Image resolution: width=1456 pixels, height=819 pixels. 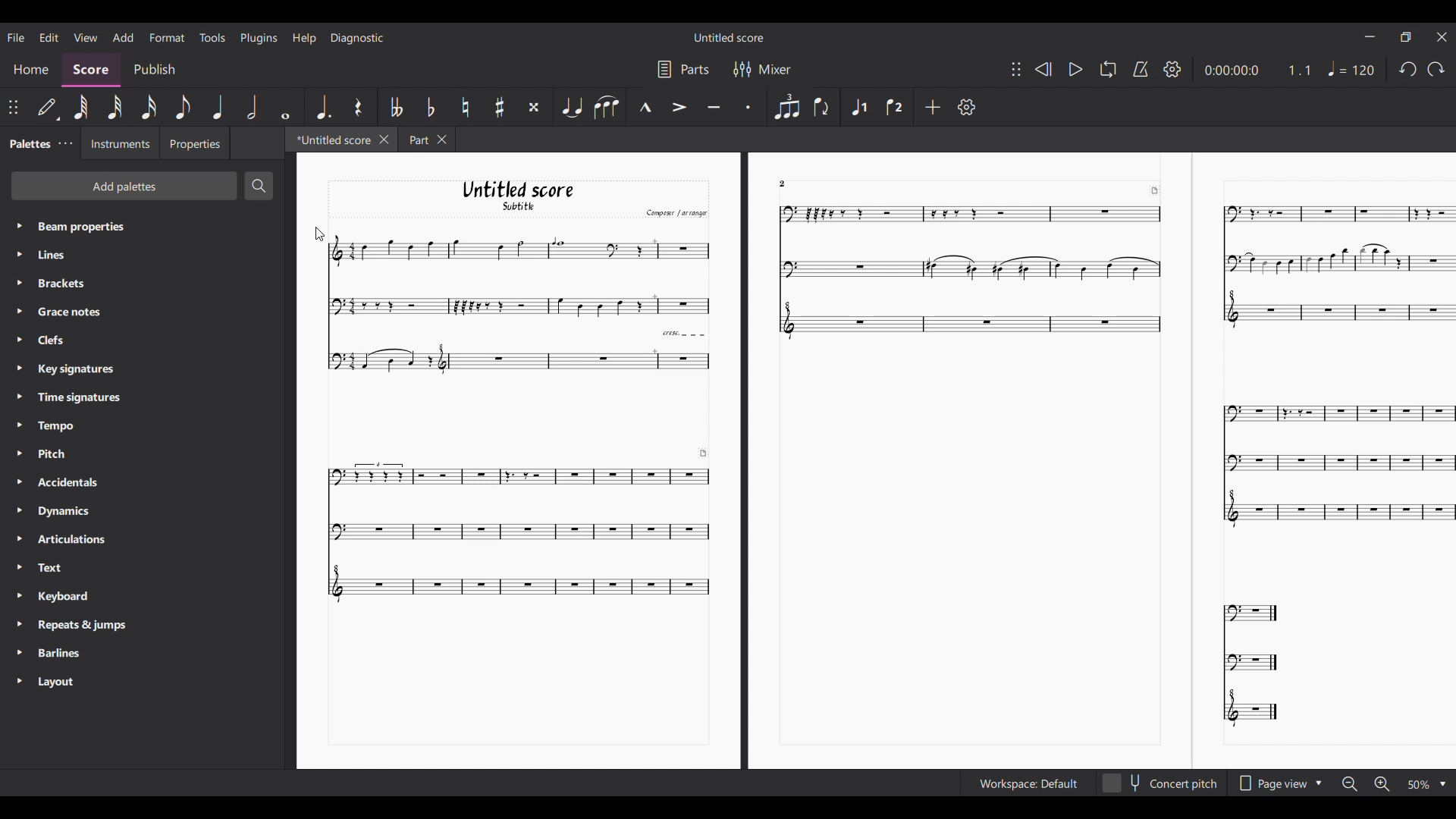 I want to click on Tools, so click(x=212, y=37).